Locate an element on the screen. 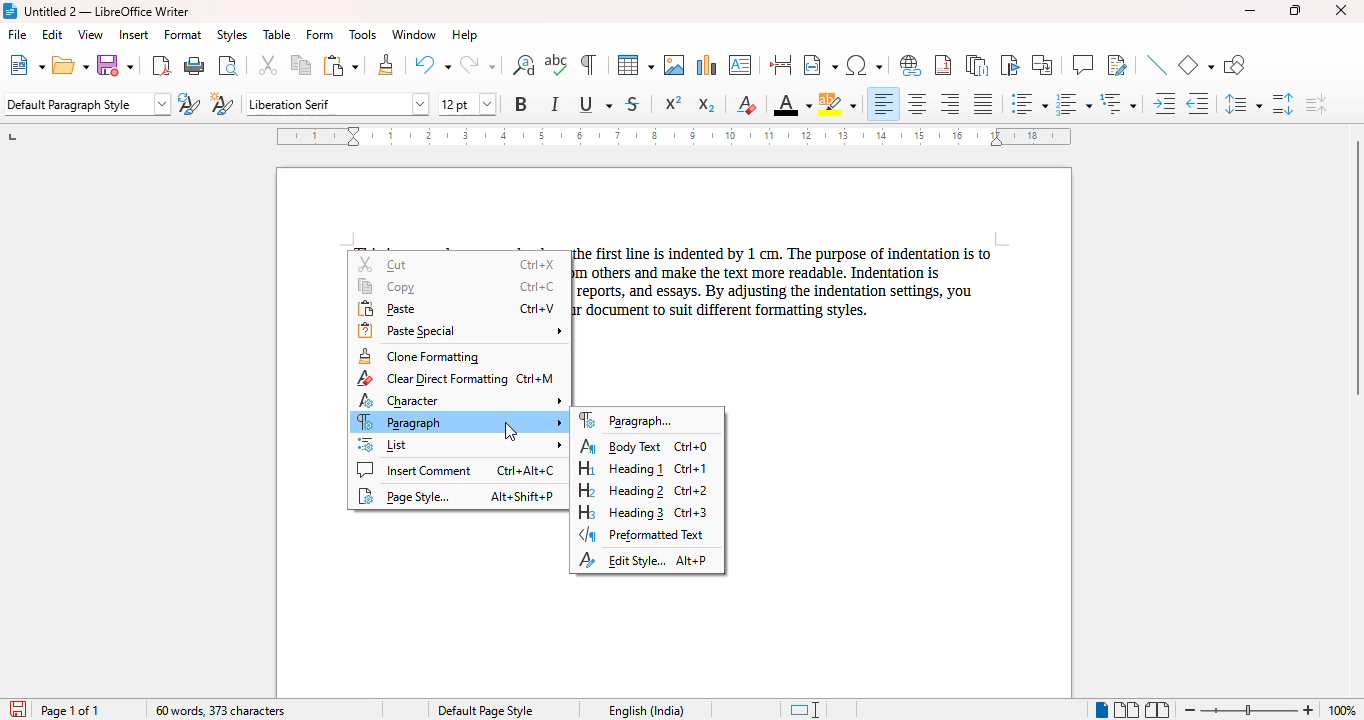  vertical scroll bar is located at coordinates (1355, 267).